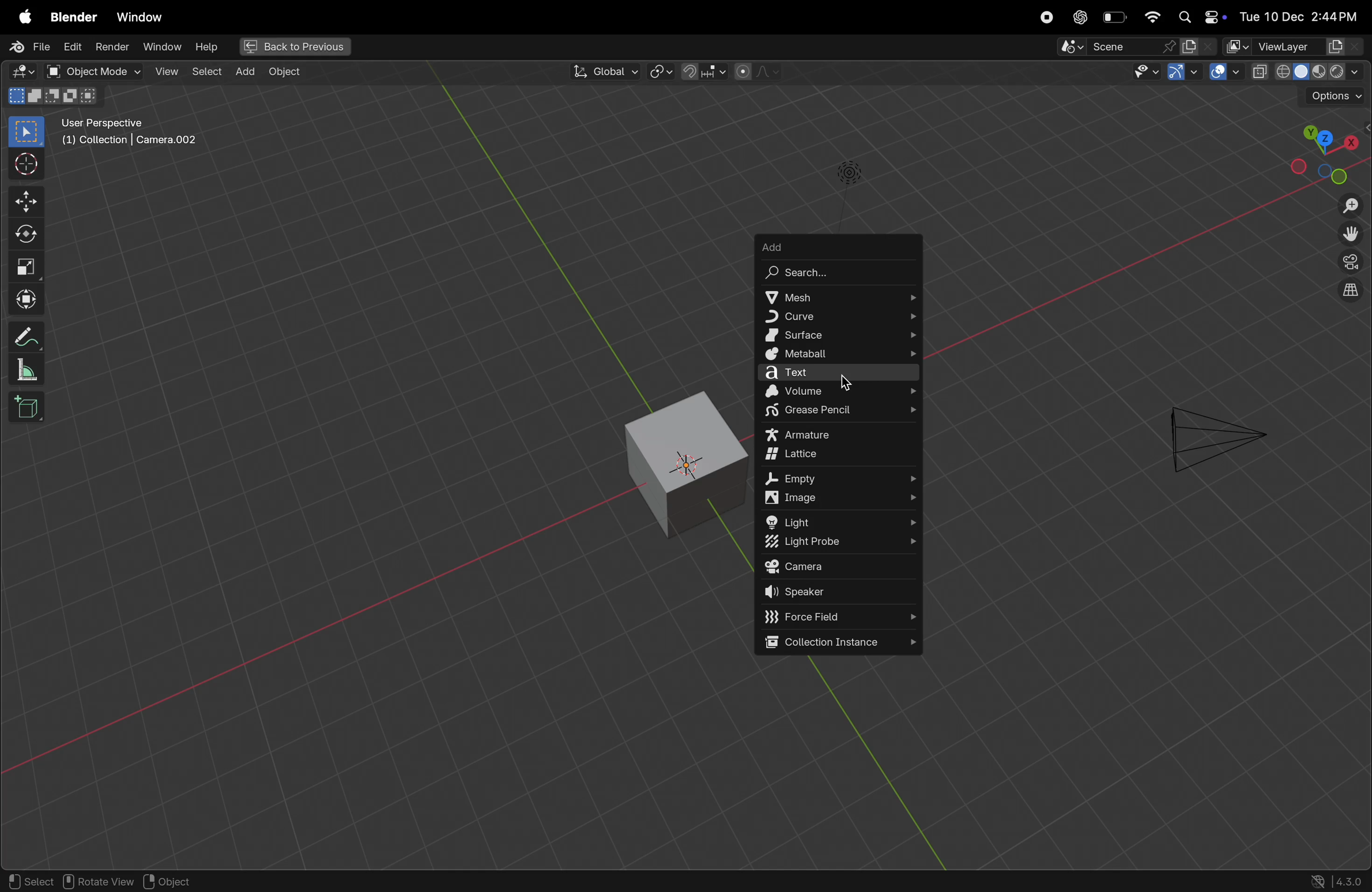  Describe the element at coordinates (847, 174) in the screenshot. I see `Lights` at that location.